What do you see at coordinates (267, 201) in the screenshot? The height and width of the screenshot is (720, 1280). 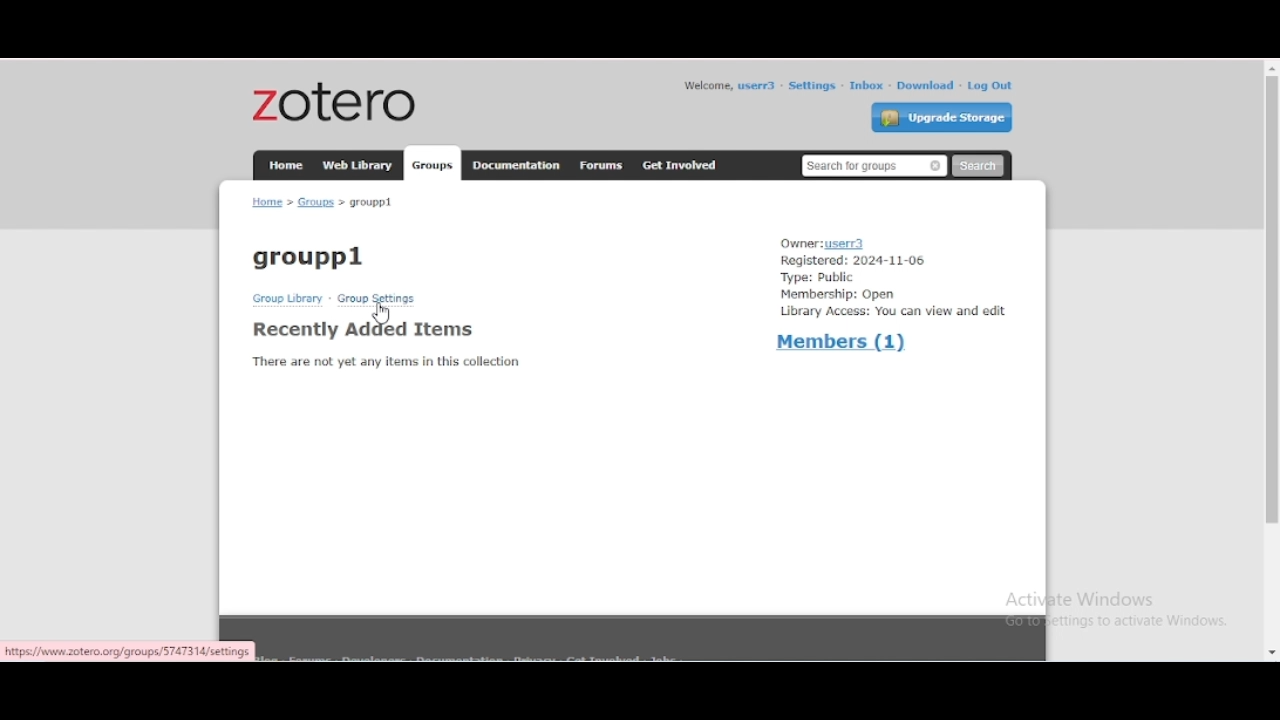 I see `home` at bounding box center [267, 201].